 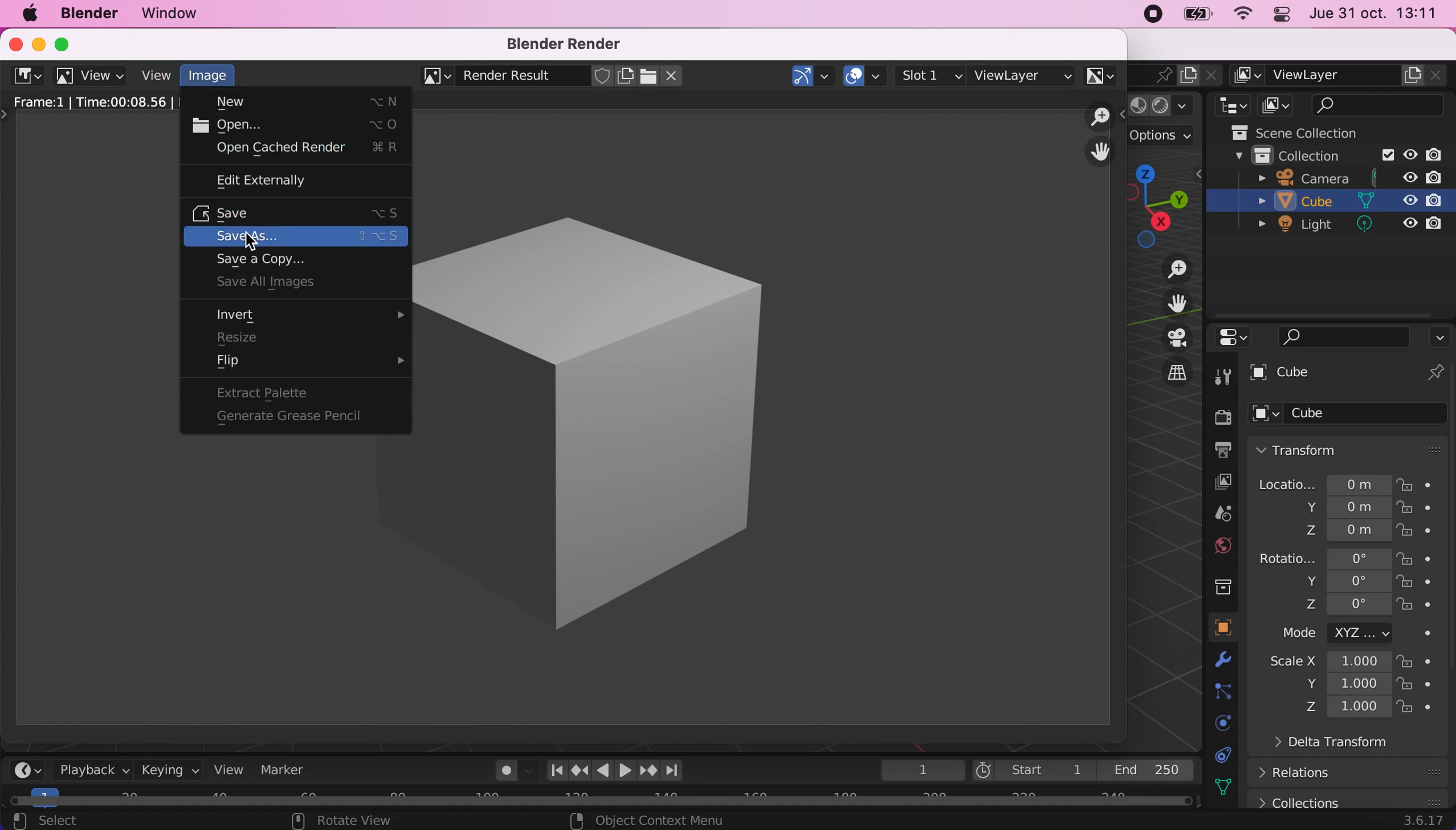 I want to click on Jump to previous keyframe, so click(x=578, y=768).